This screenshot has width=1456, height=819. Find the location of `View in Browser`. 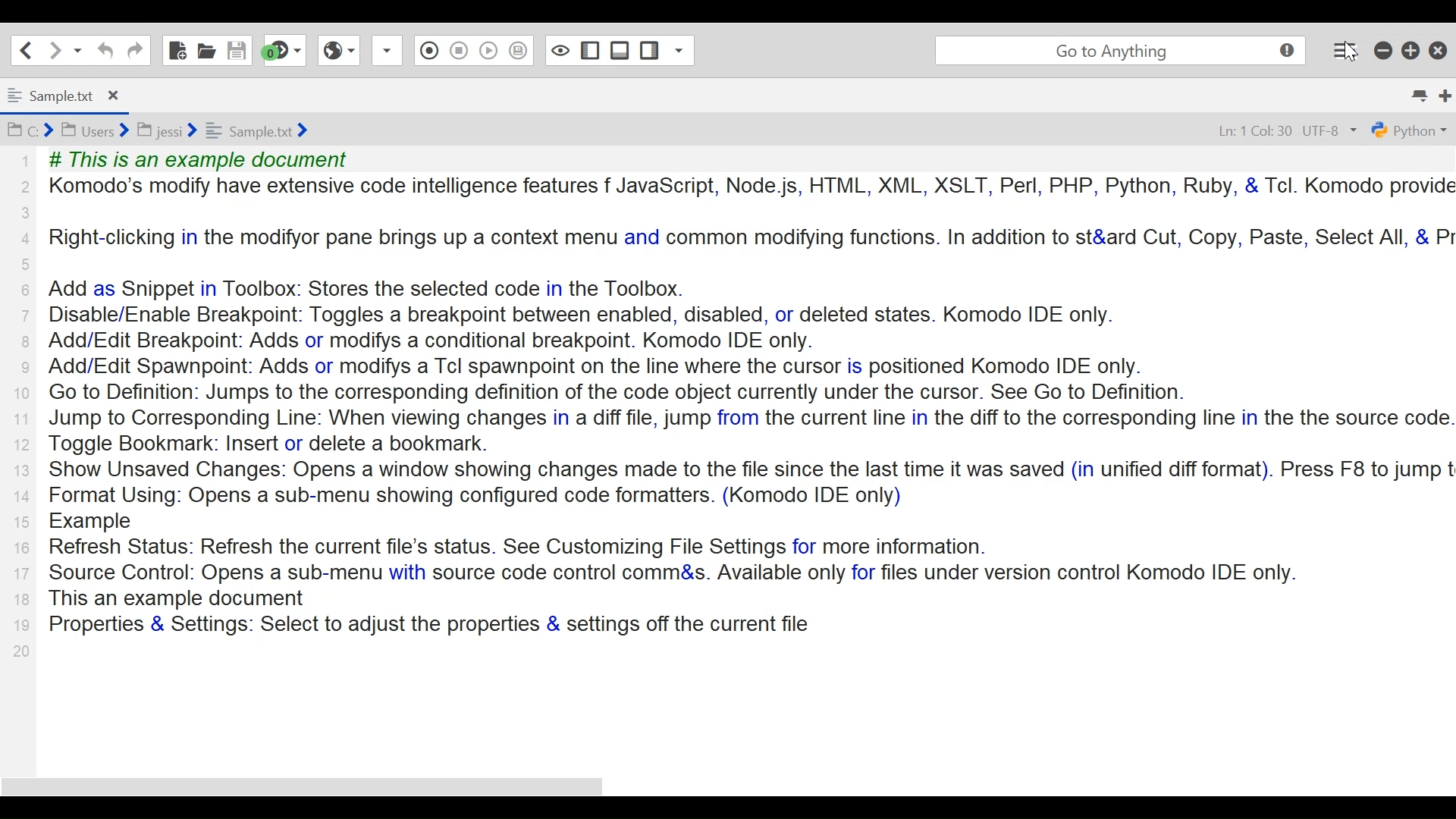

View in Browser is located at coordinates (339, 50).